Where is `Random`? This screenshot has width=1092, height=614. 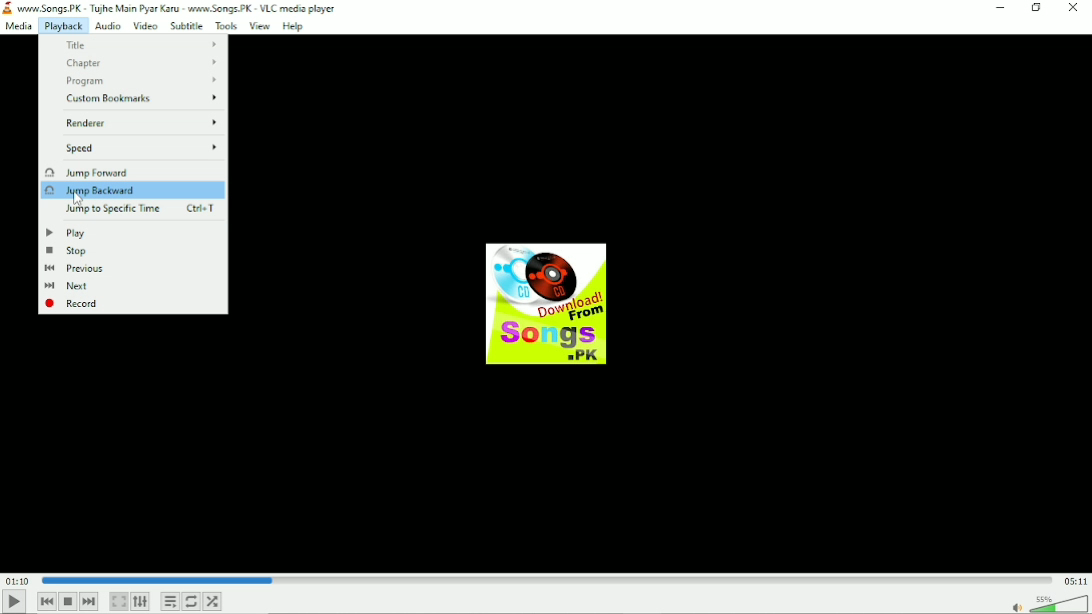
Random is located at coordinates (212, 602).